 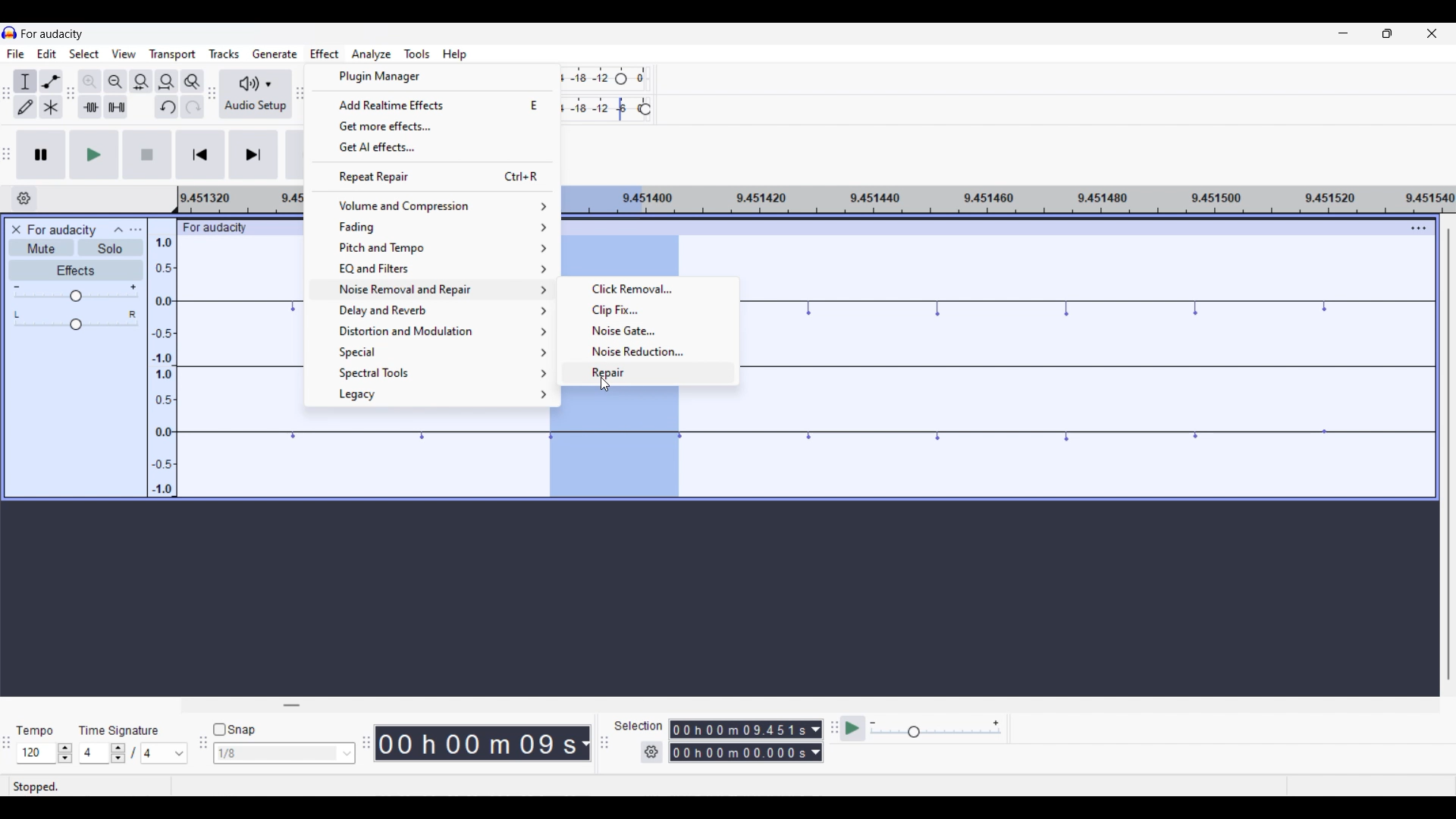 What do you see at coordinates (52, 82) in the screenshot?
I see `Envelop tool` at bounding box center [52, 82].